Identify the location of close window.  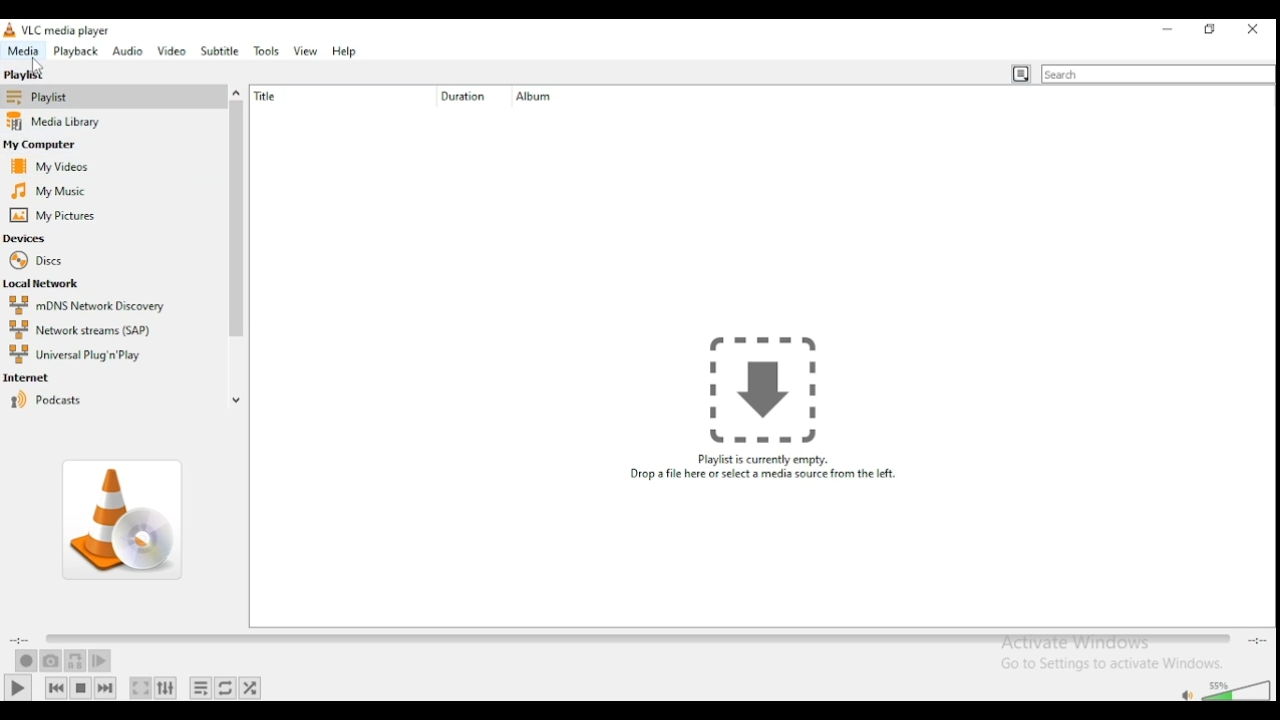
(1253, 30).